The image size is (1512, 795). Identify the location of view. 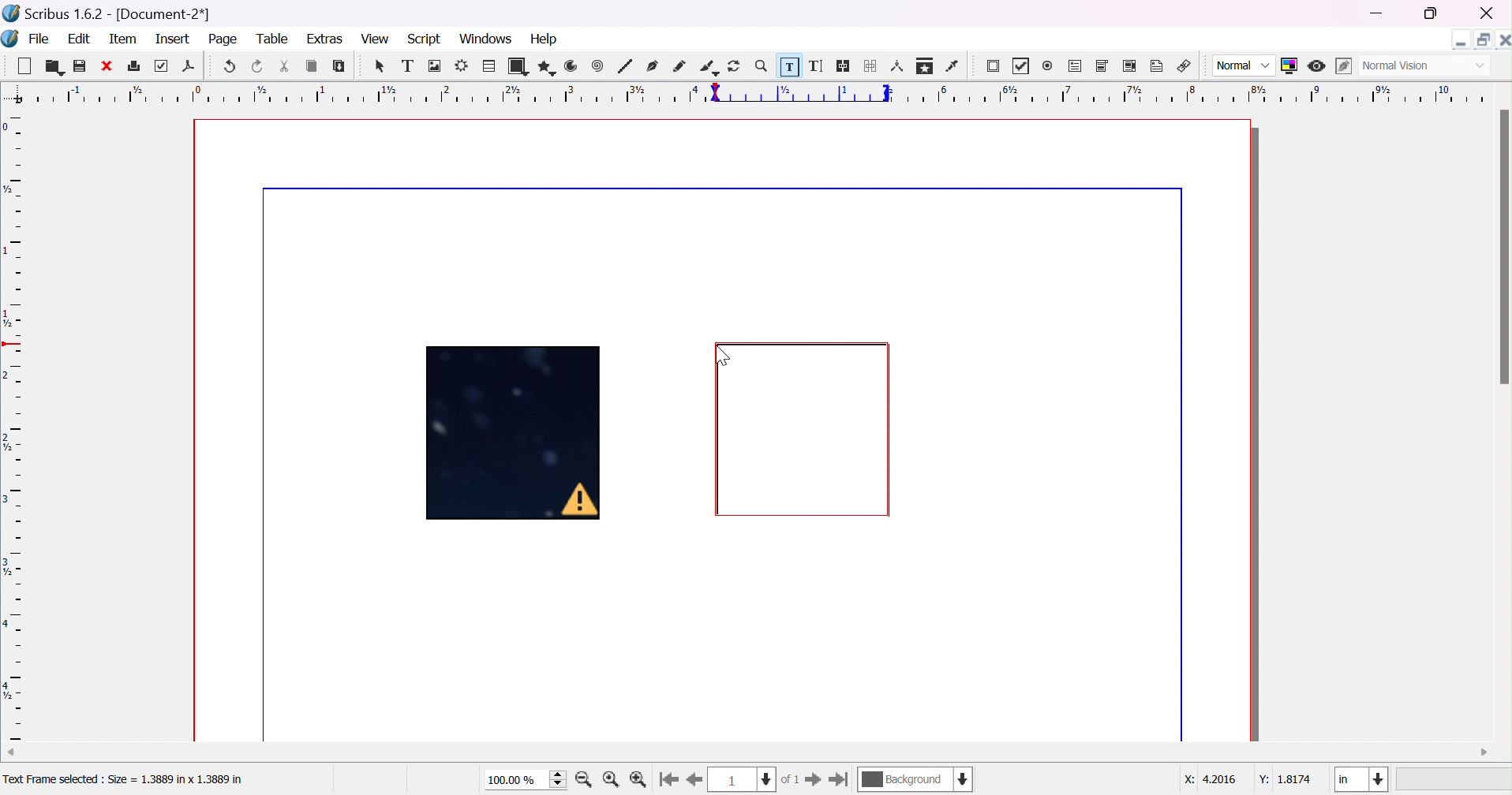
(372, 38).